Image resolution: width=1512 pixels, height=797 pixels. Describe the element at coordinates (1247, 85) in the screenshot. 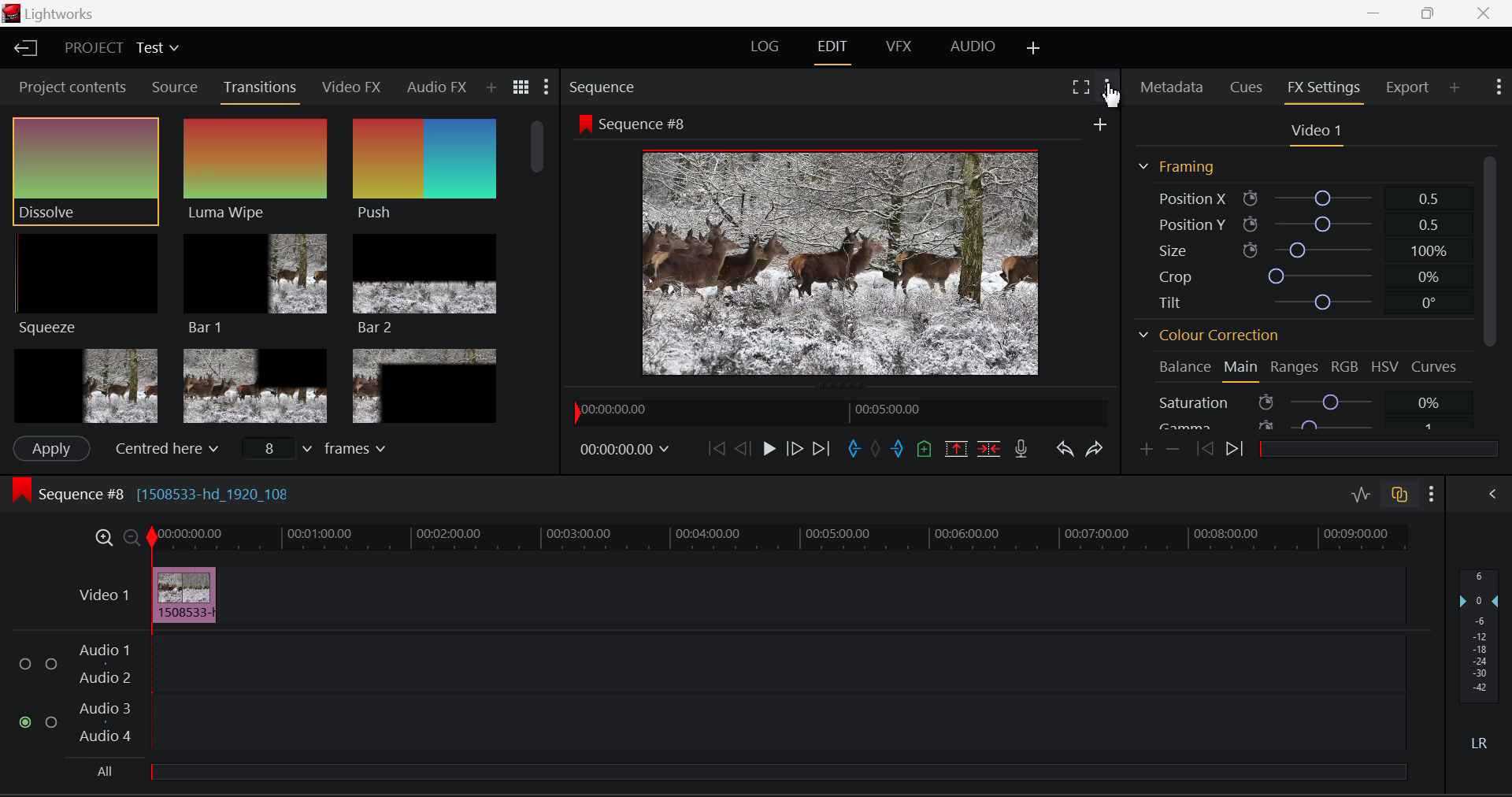

I see `Cues` at that location.